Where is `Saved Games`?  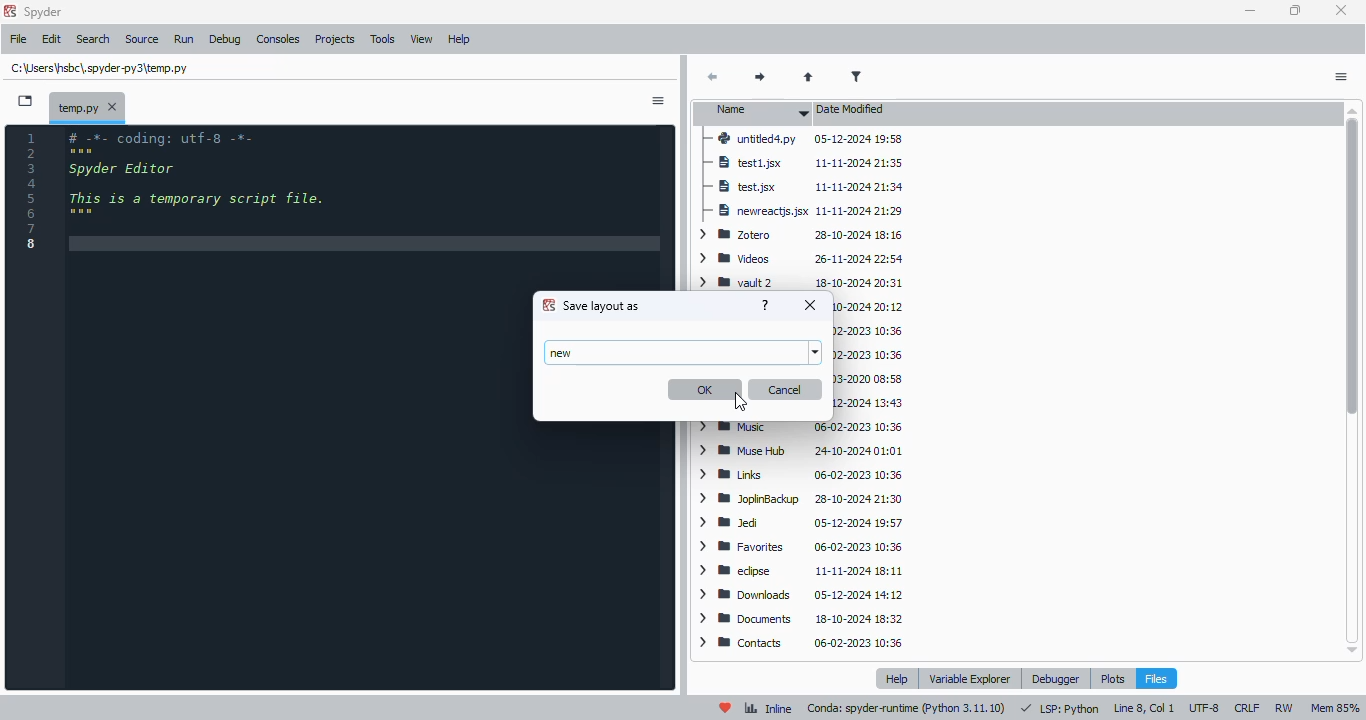
Saved Games is located at coordinates (868, 355).